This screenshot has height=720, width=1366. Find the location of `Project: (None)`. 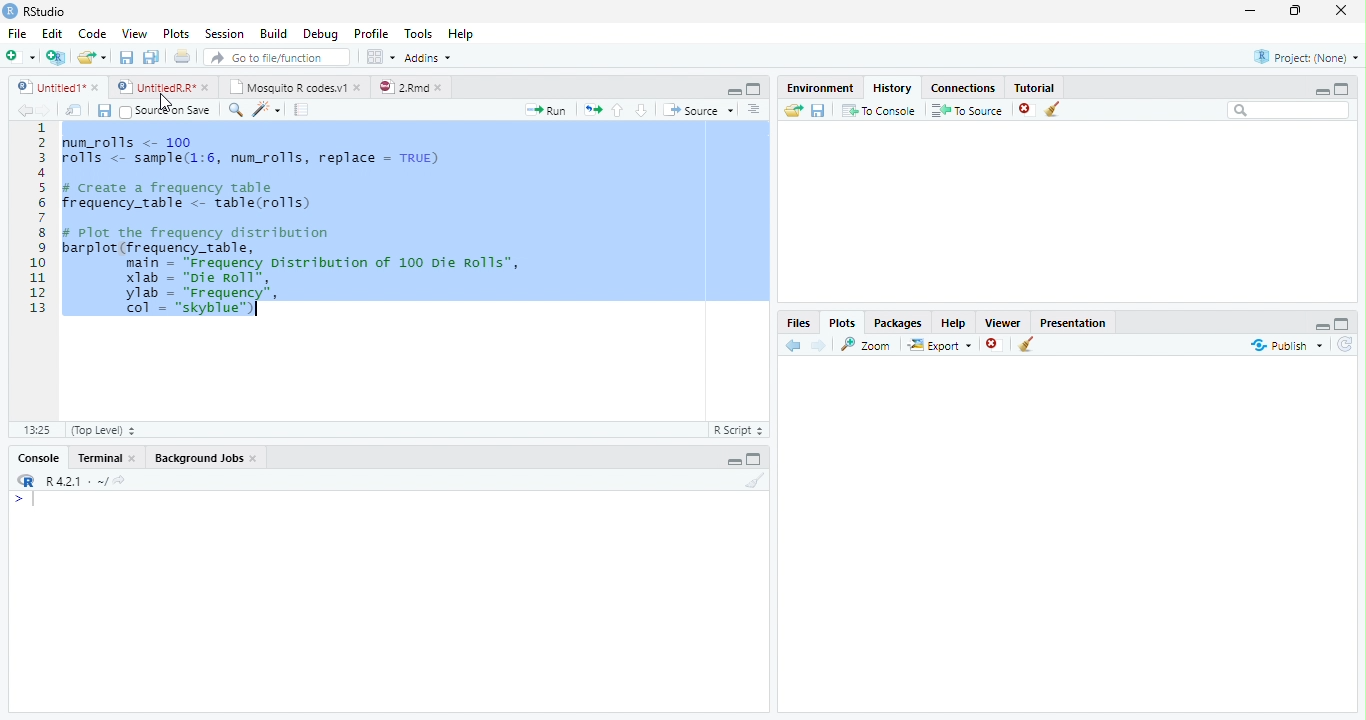

Project: (None) is located at coordinates (1305, 55).